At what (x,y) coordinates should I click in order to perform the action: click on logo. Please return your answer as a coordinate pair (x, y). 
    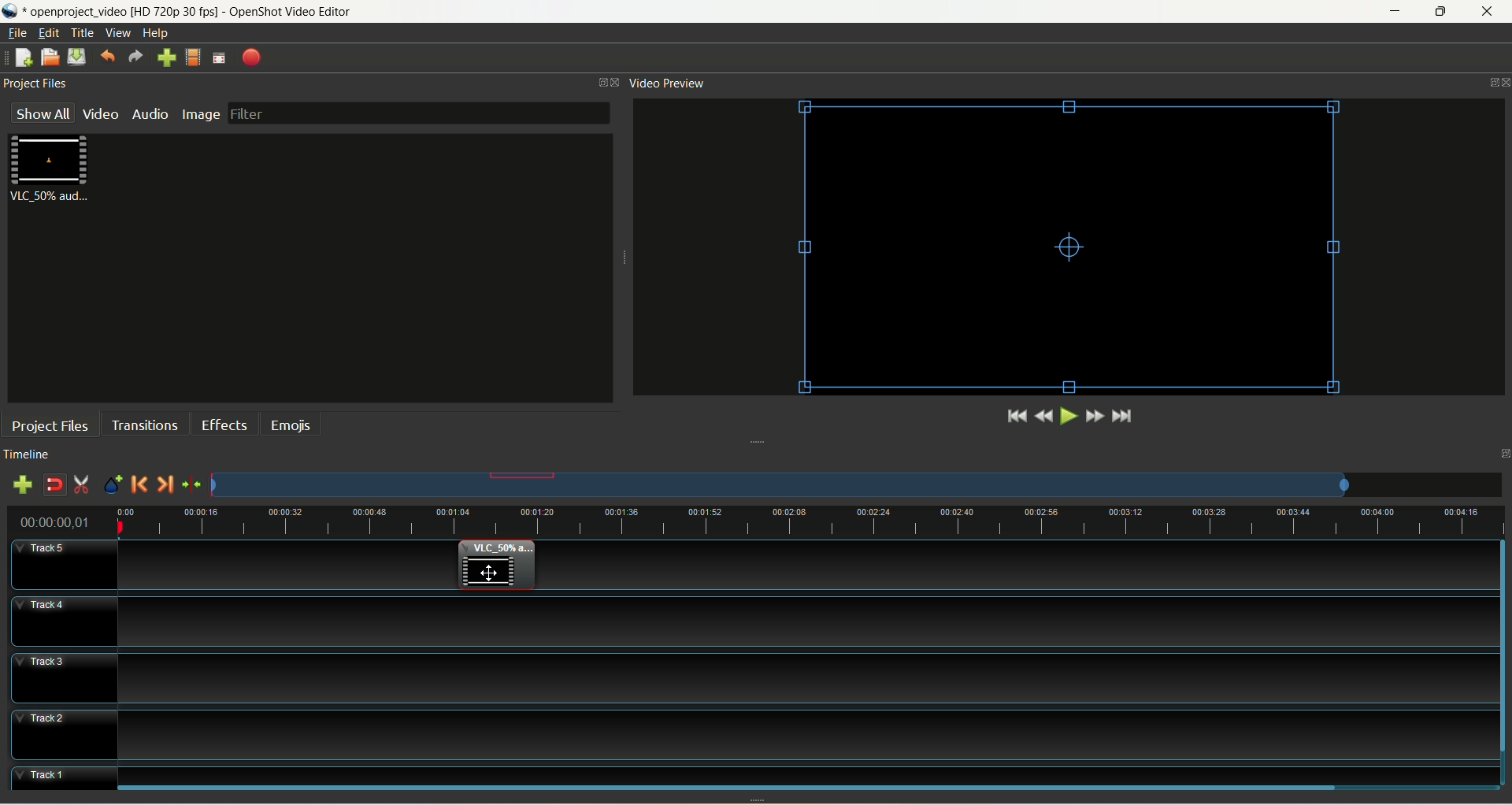
    Looking at the image, I should click on (12, 11).